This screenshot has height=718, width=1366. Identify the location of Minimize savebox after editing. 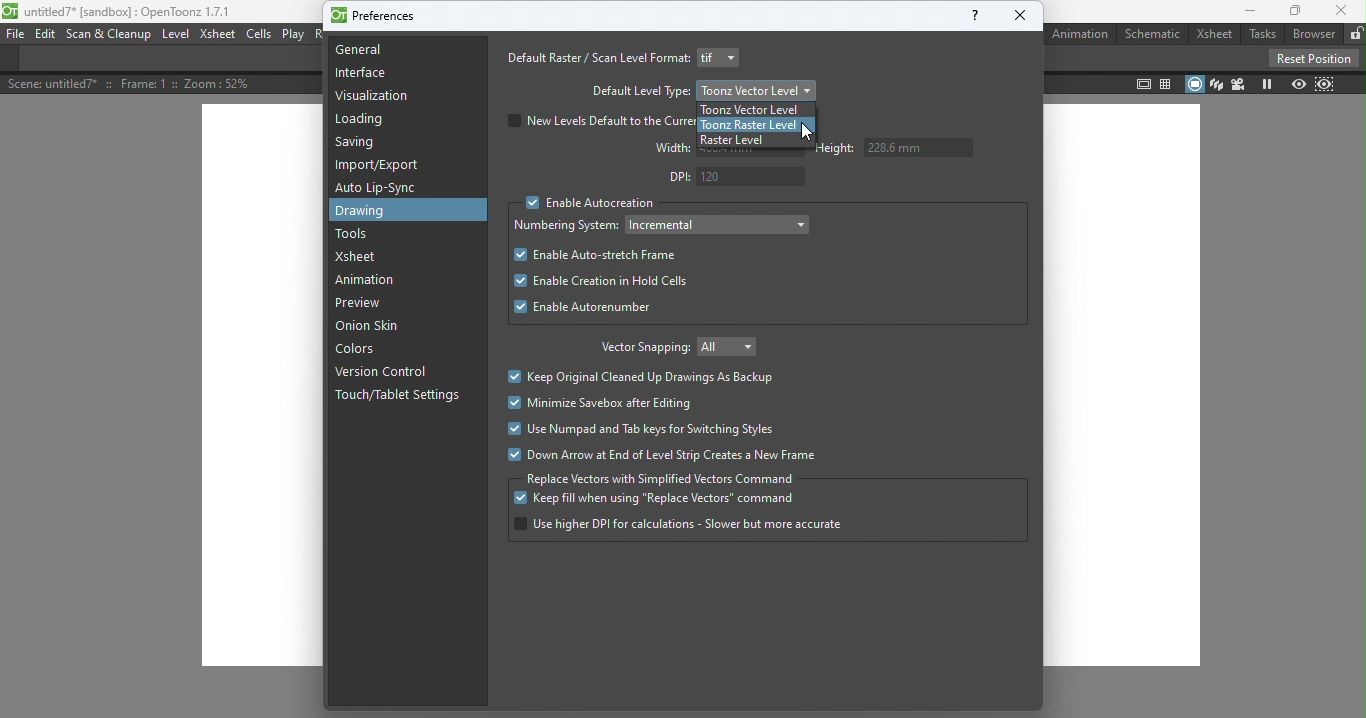
(598, 403).